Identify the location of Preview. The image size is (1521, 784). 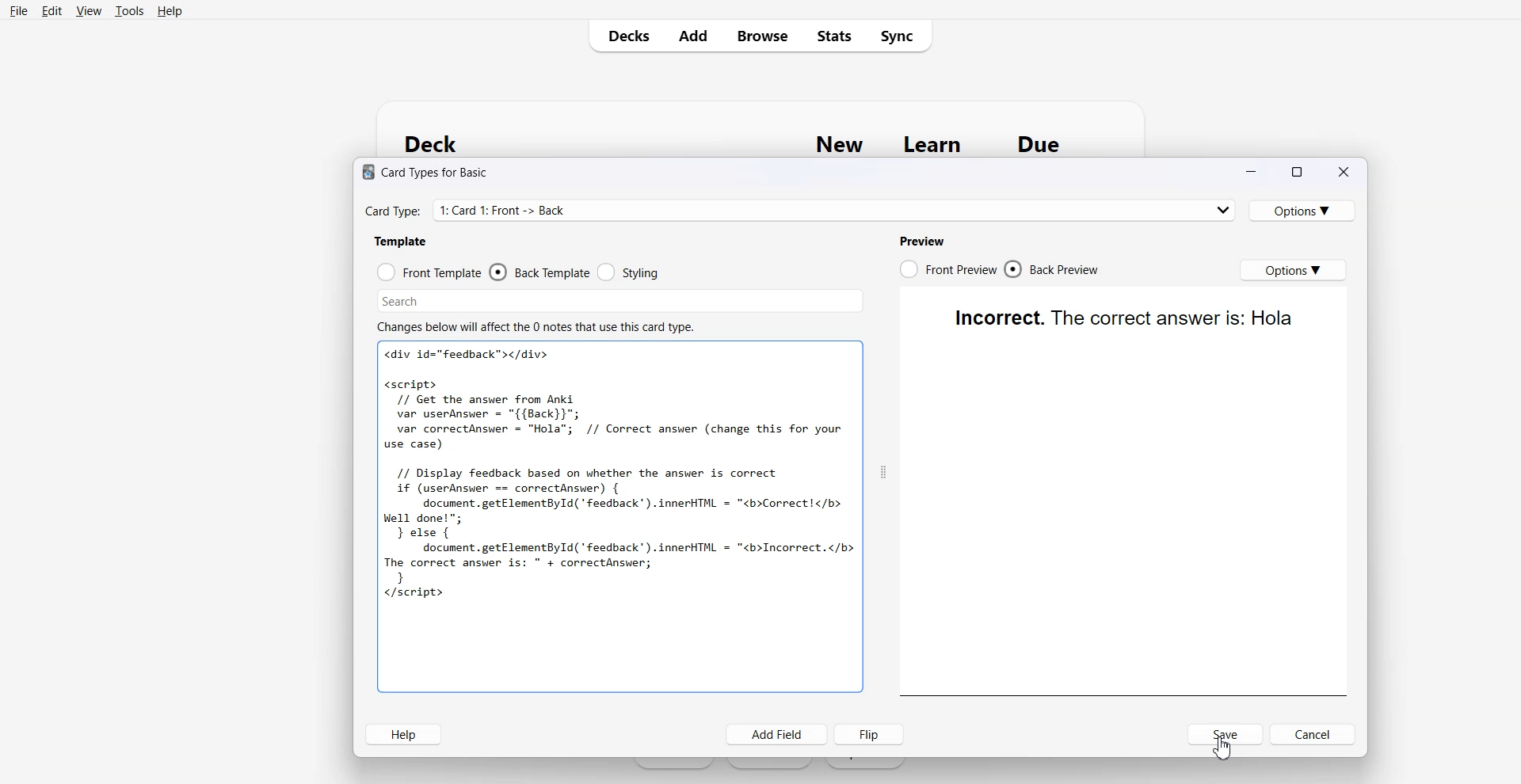
(924, 241).